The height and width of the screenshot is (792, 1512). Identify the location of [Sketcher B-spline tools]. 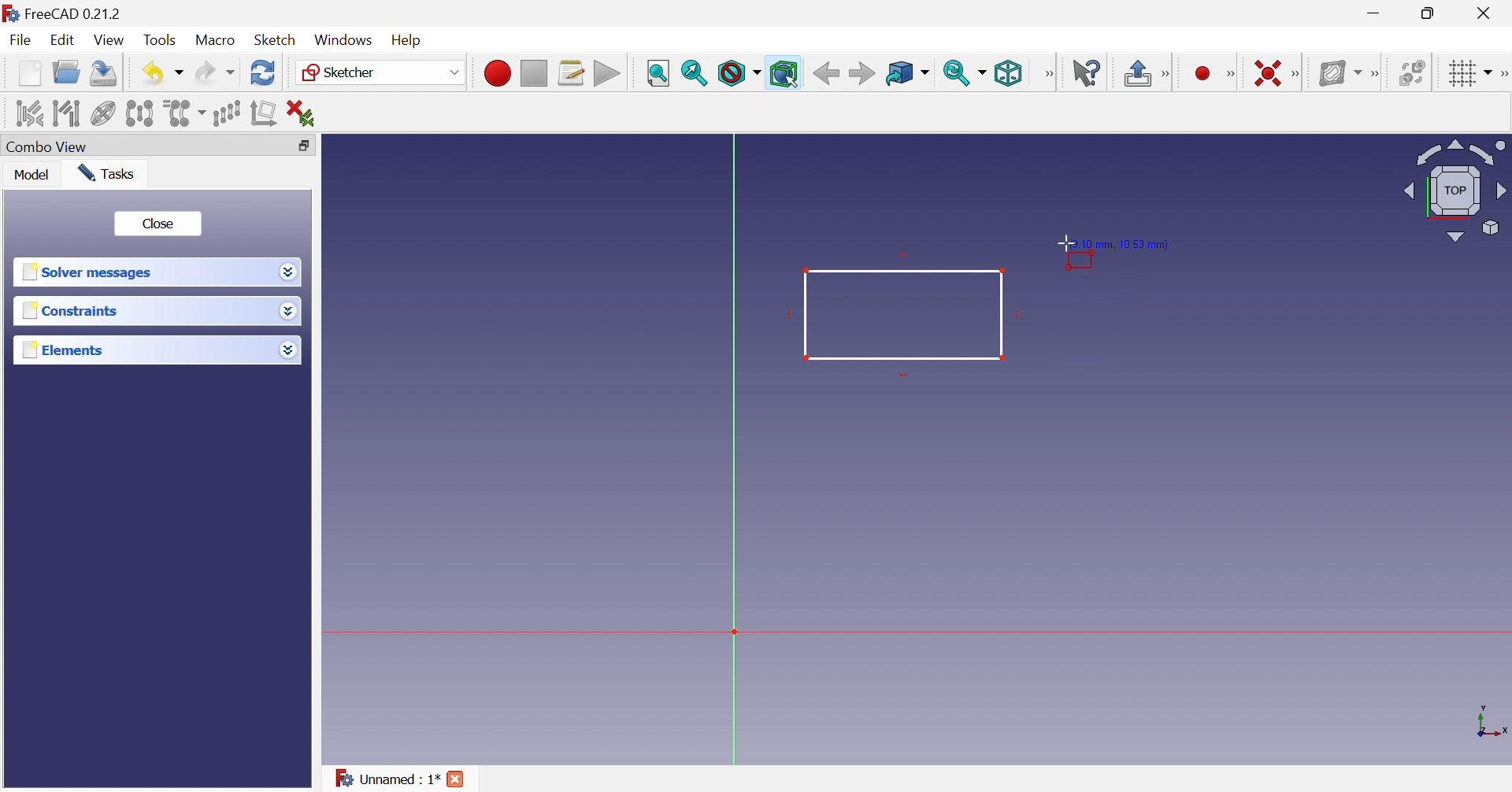
(1377, 76).